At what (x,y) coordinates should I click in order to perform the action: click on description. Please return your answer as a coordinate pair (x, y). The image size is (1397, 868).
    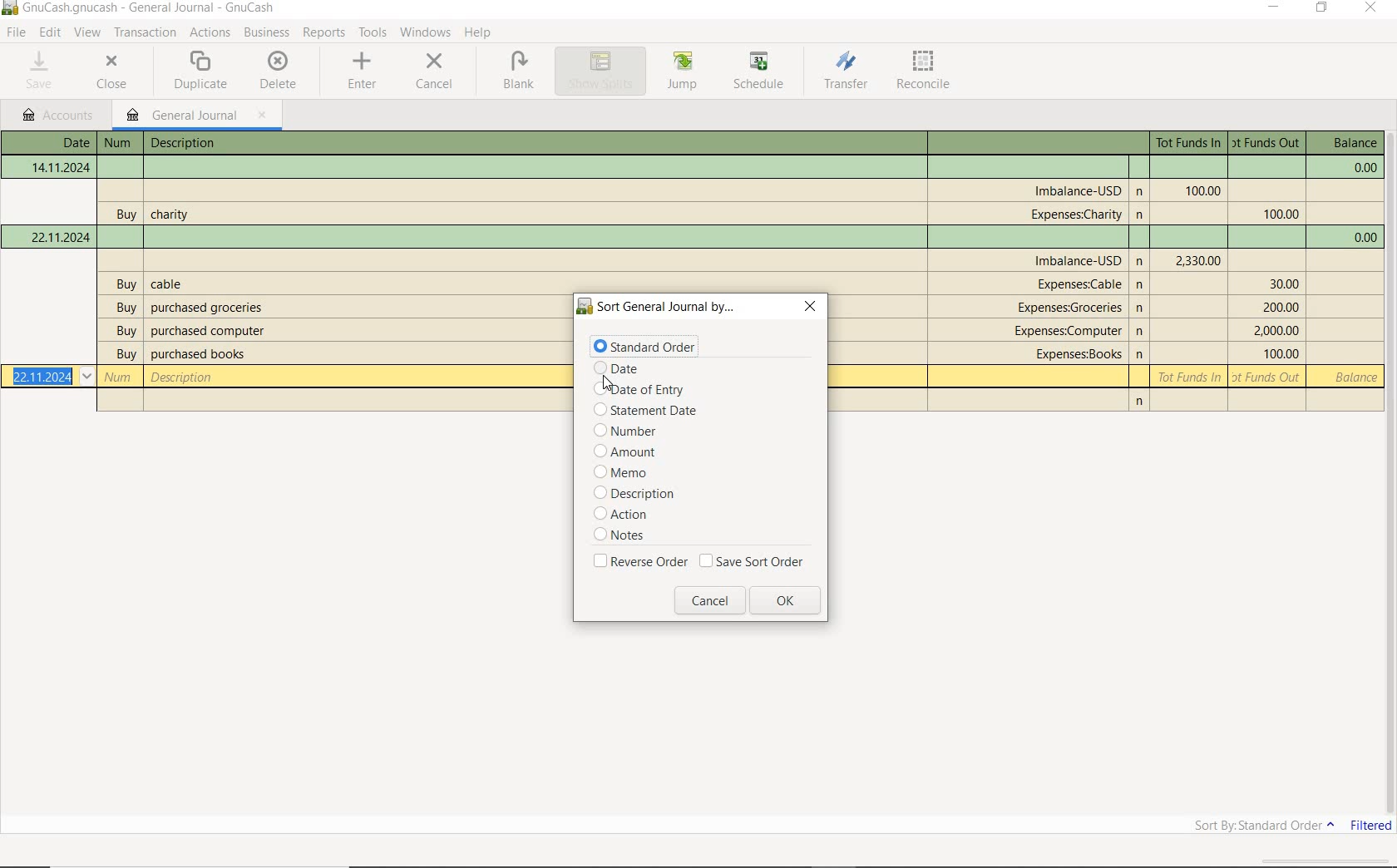
    Looking at the image, I should click on (184, 377).